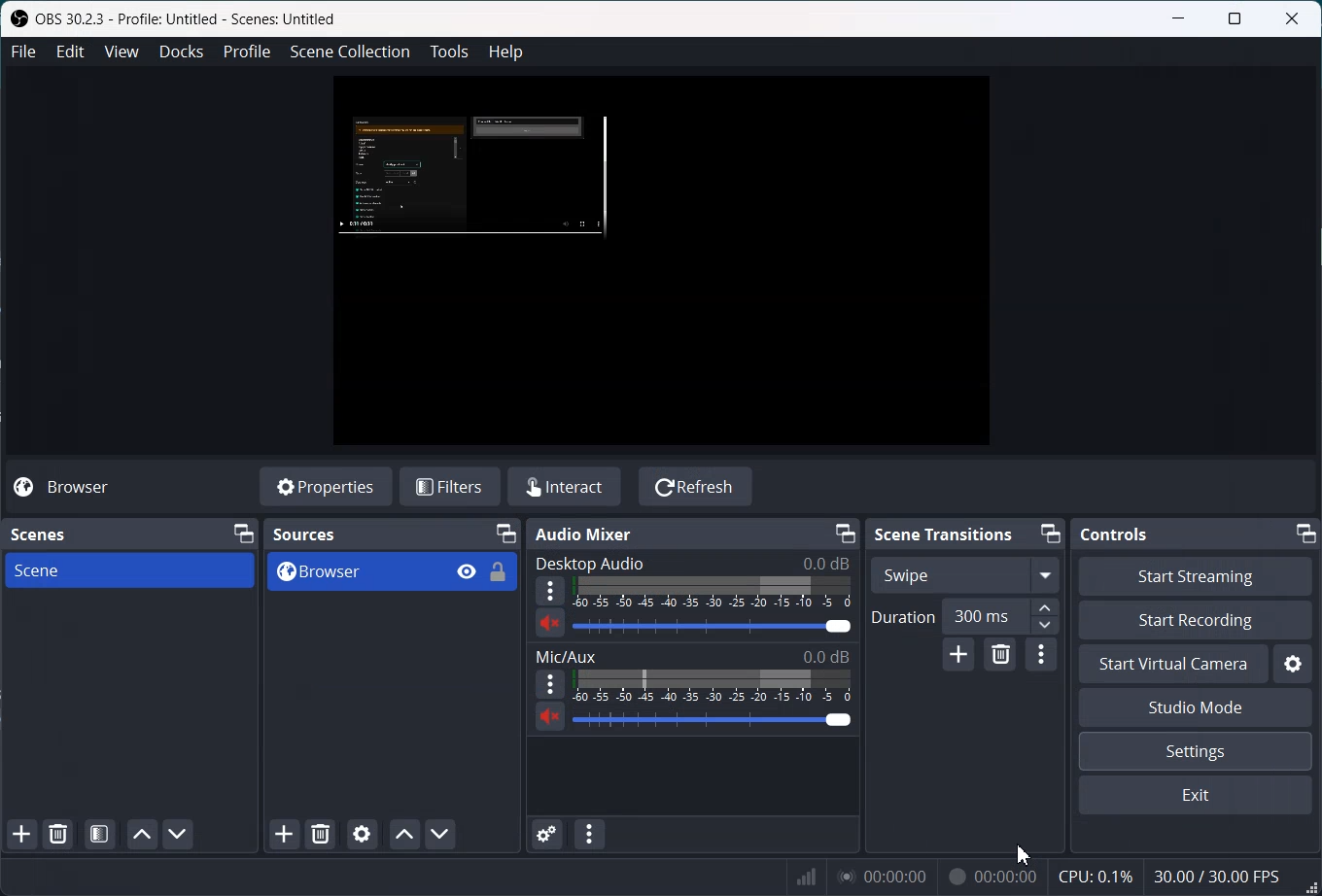 The width and height of the screenshot is (1322, 896). I want to click on View, so click(122, 52).